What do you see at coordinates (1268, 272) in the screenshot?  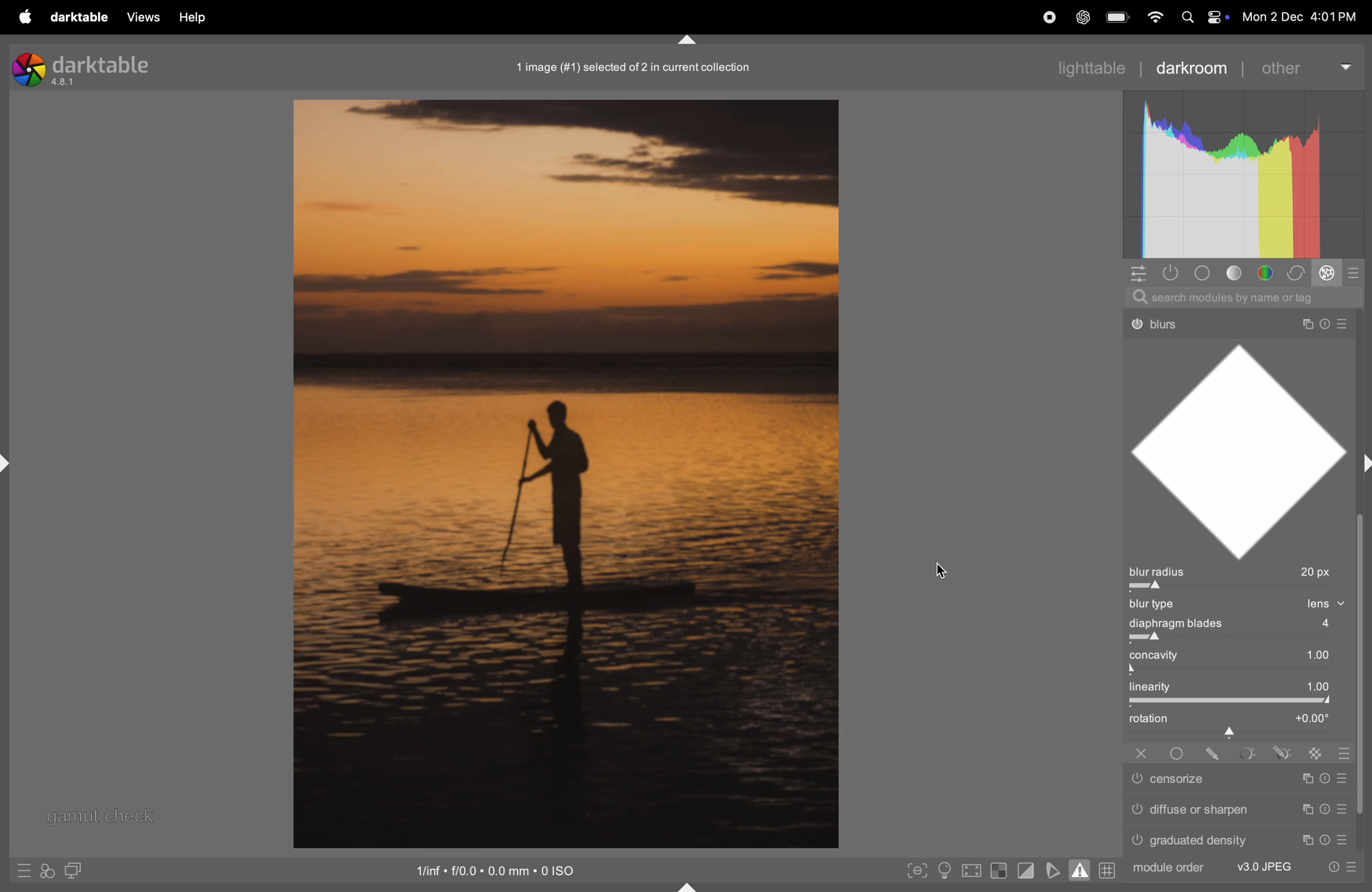 I see `color` at bounding box center [1268, 272].